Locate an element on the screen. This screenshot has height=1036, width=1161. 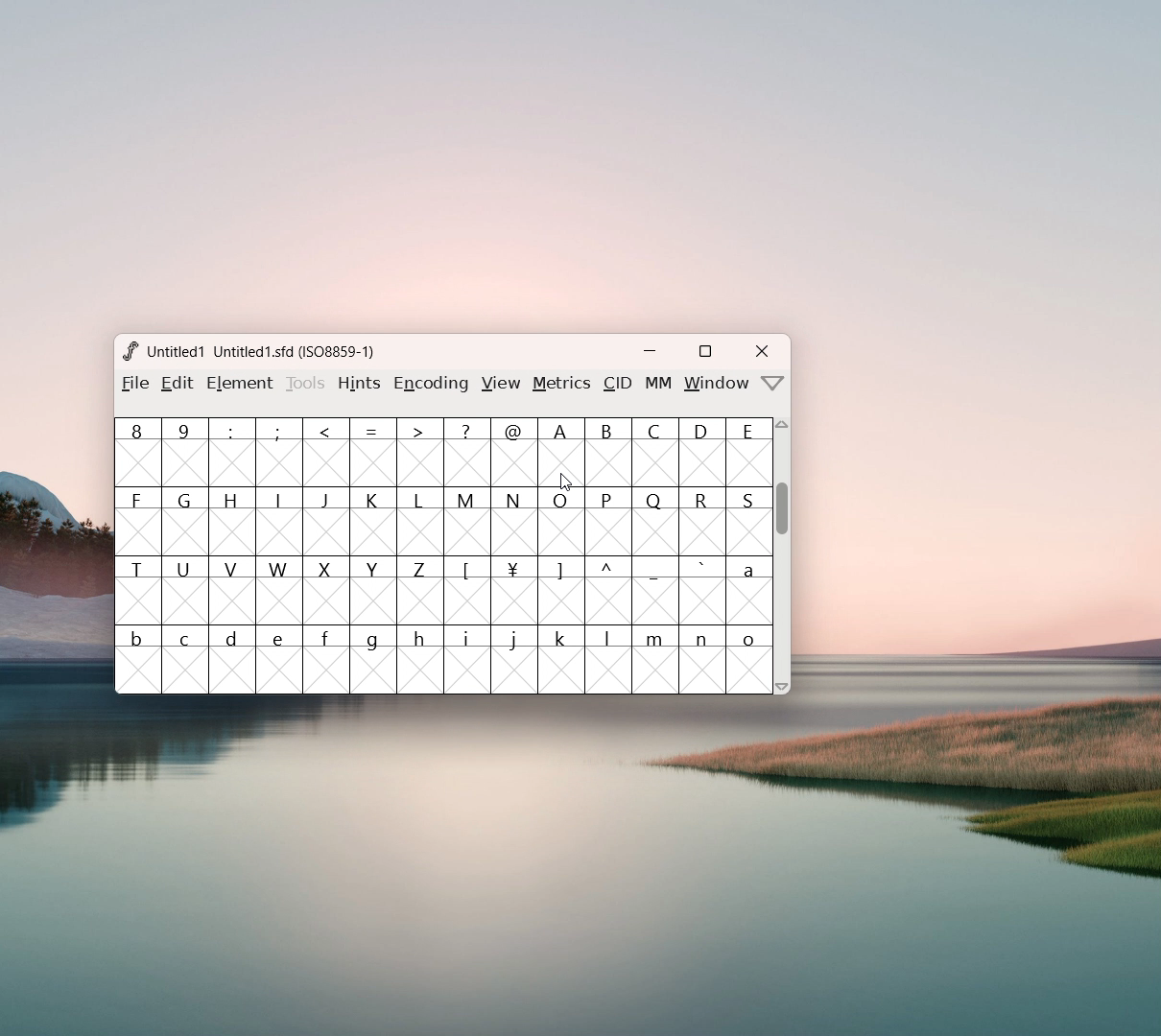
@ is located at coordinates (514, 453).